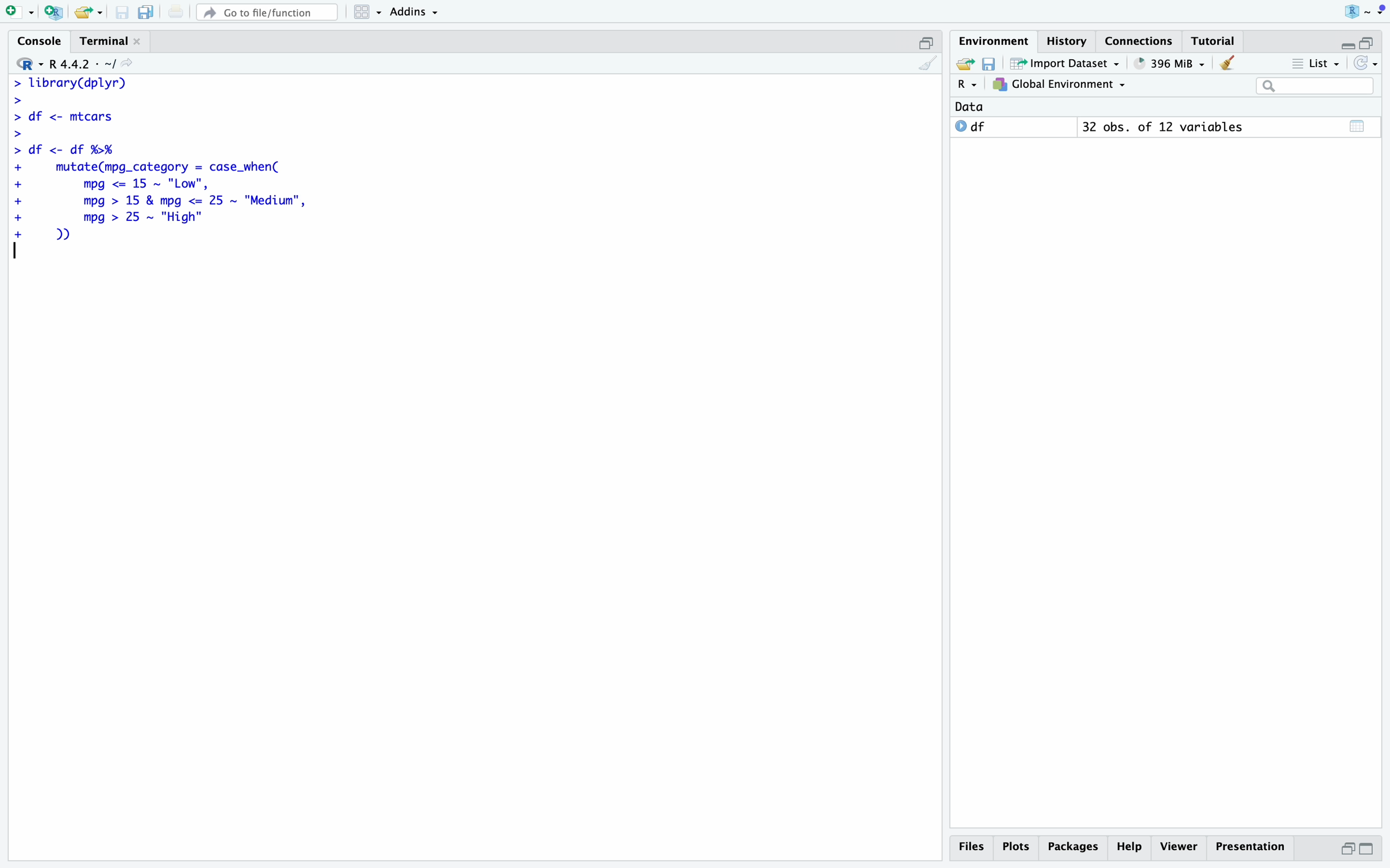 The height and width of the screenshot is (868, 1390). I want to click on sync, so click(1367, 62).